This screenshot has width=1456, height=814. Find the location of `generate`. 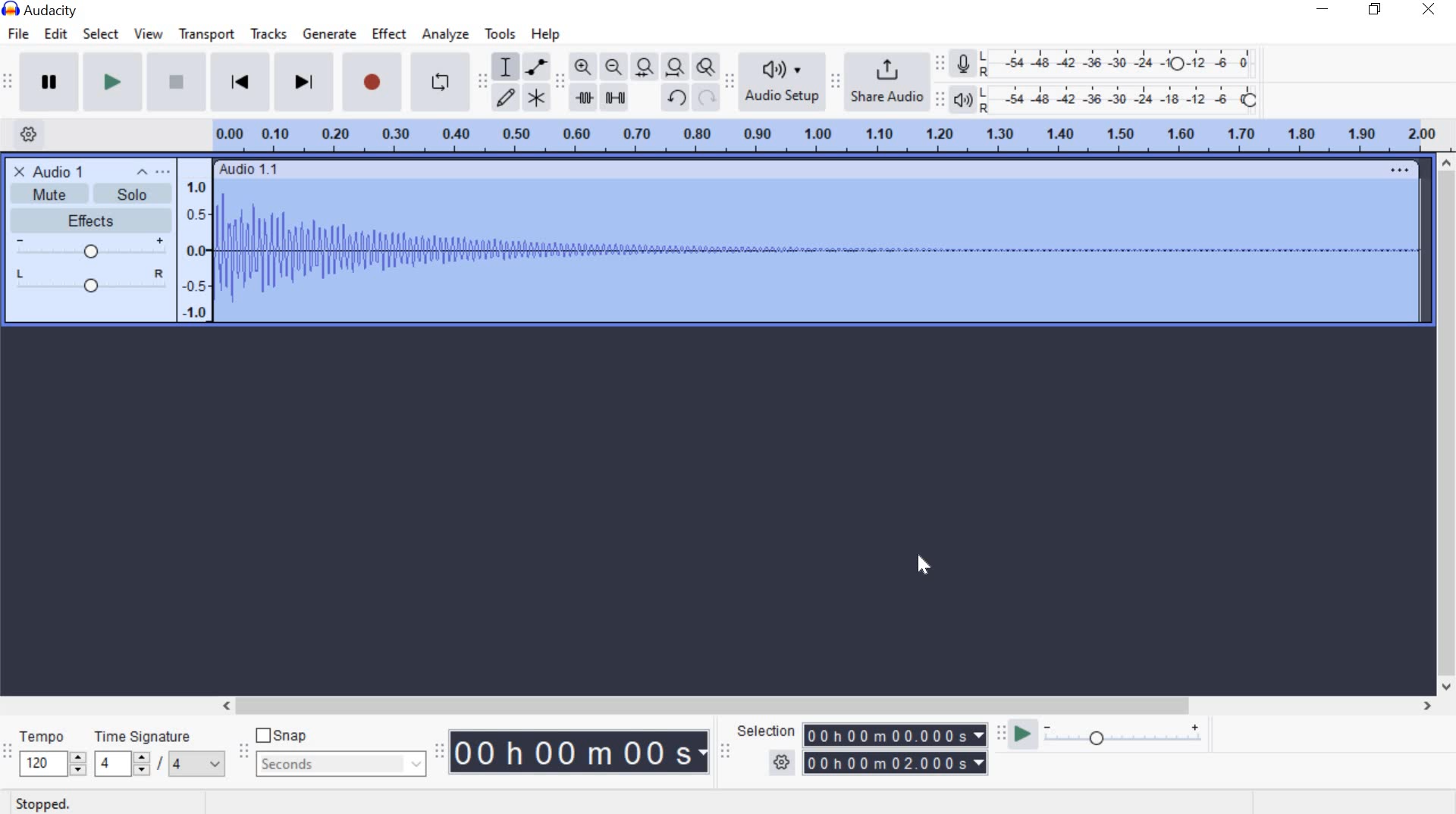

generate is located at coordinates (328, 33).